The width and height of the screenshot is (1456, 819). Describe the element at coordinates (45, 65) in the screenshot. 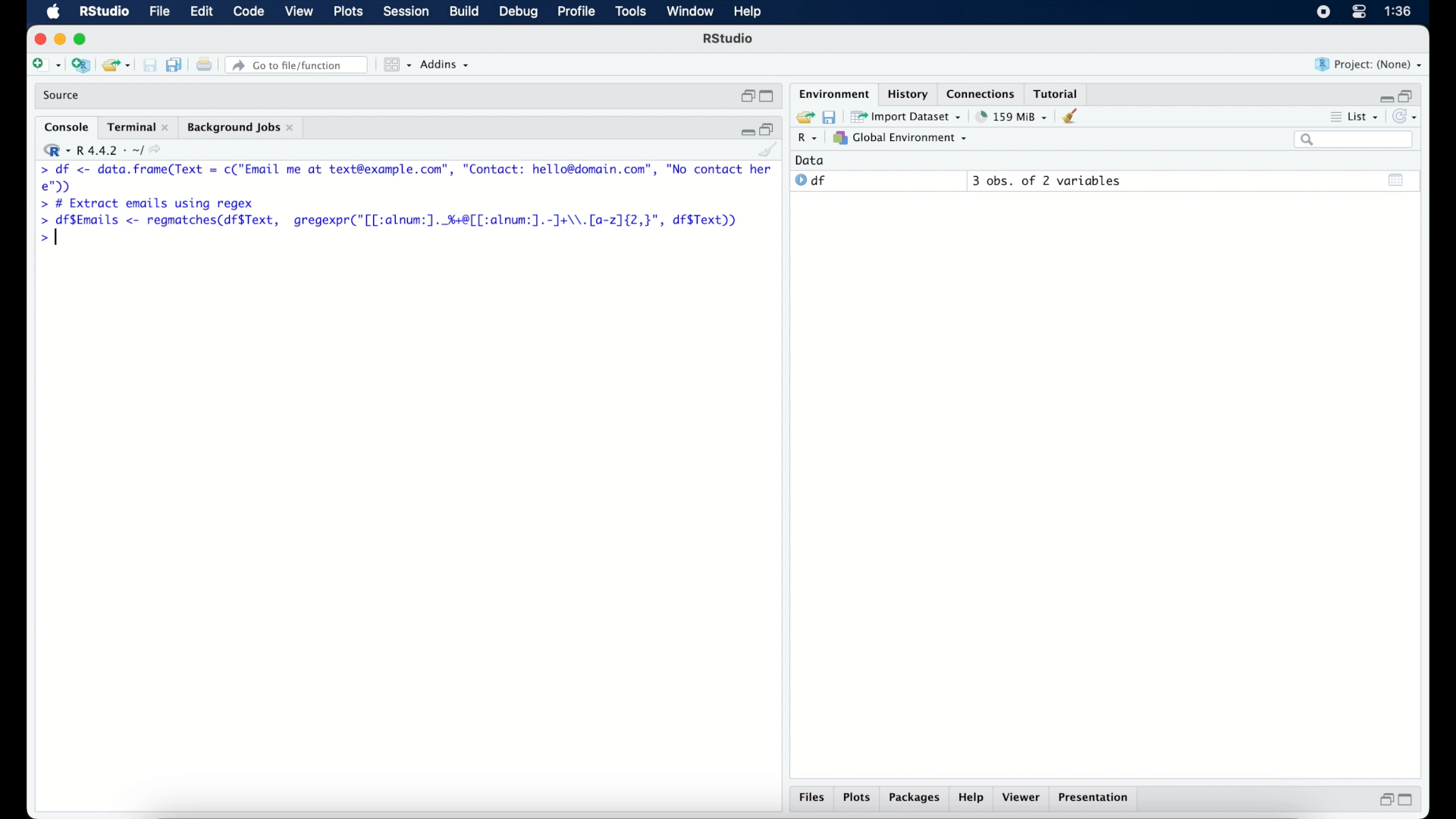

I see `create new file` at that location.